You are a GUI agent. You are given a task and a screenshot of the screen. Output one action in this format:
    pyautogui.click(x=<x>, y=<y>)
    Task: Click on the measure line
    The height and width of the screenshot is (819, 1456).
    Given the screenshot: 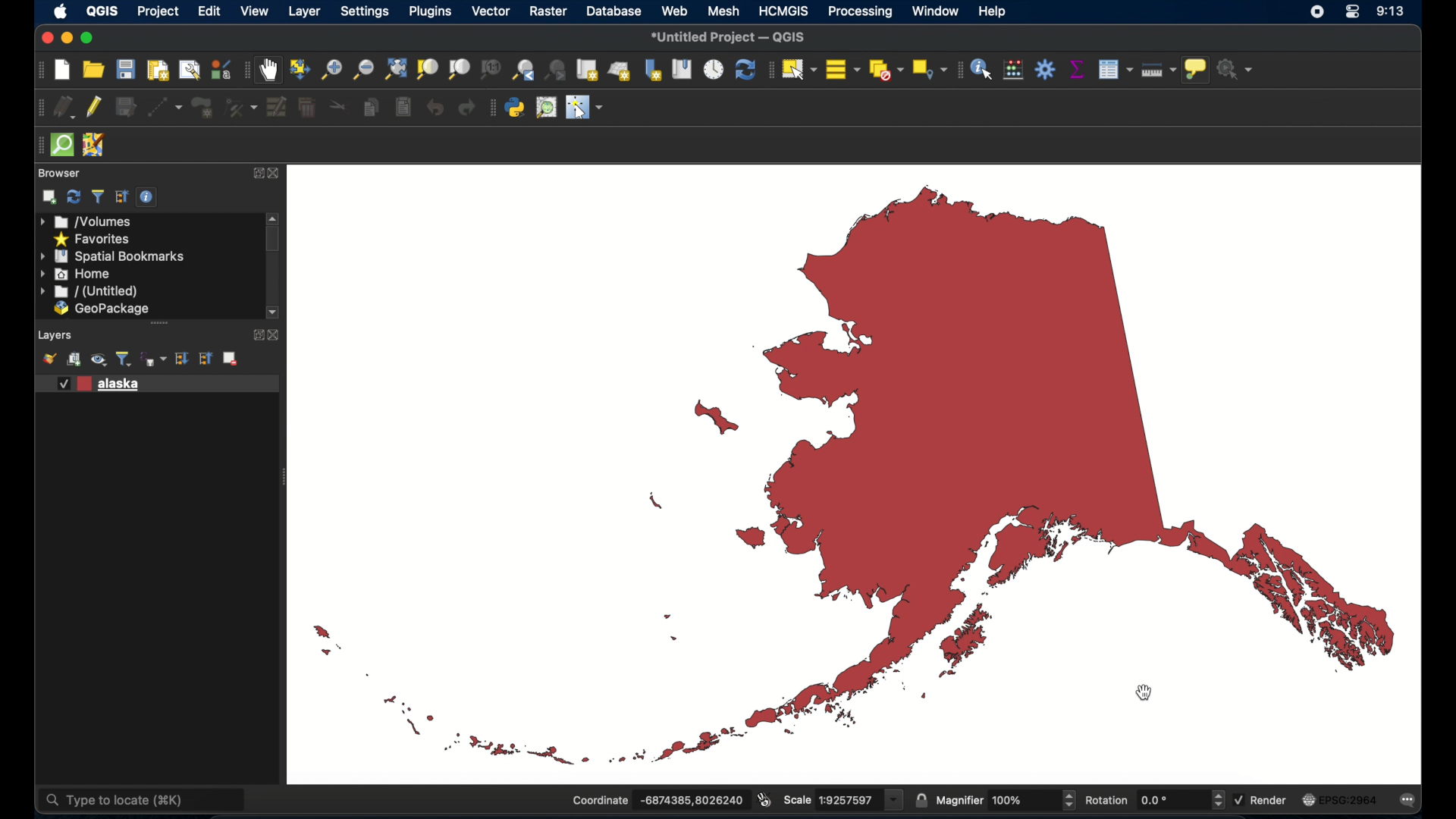 What is the action you would take?
    pyautogui.click(x=1159, y=71)
    